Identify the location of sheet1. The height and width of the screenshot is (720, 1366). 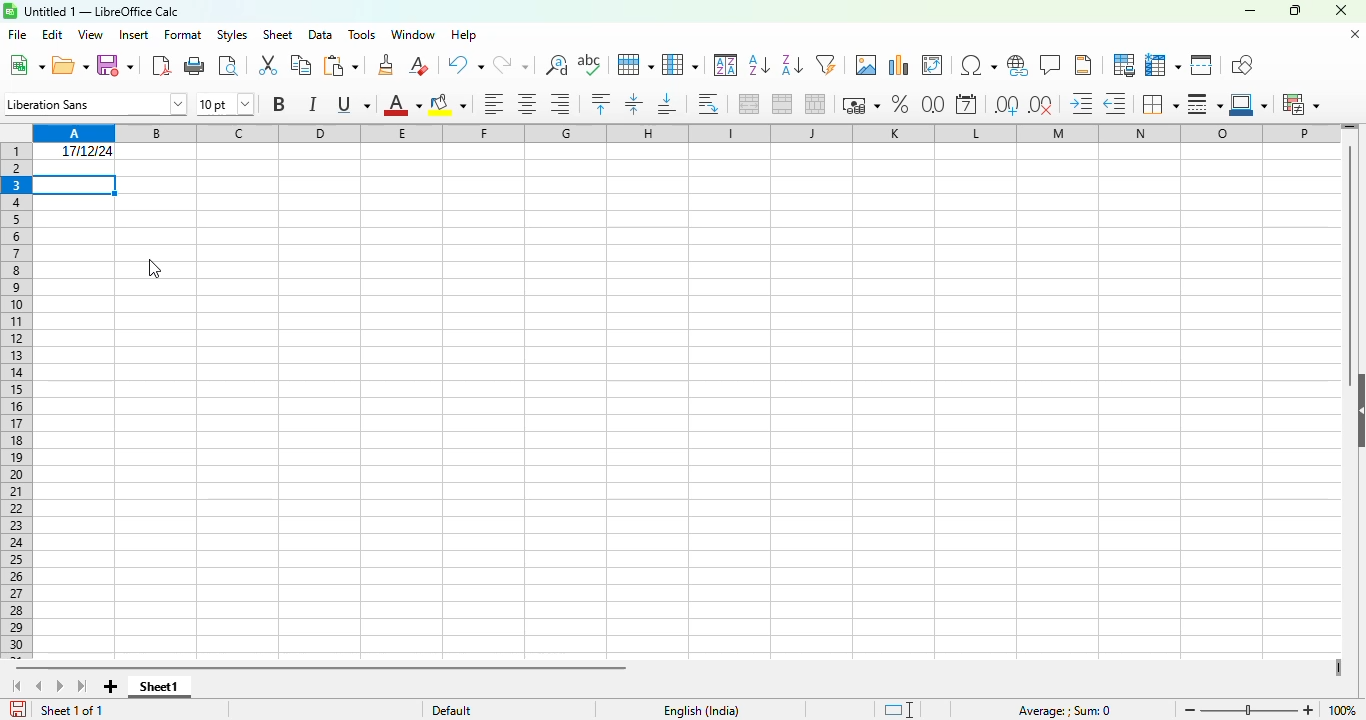
(160, 687).